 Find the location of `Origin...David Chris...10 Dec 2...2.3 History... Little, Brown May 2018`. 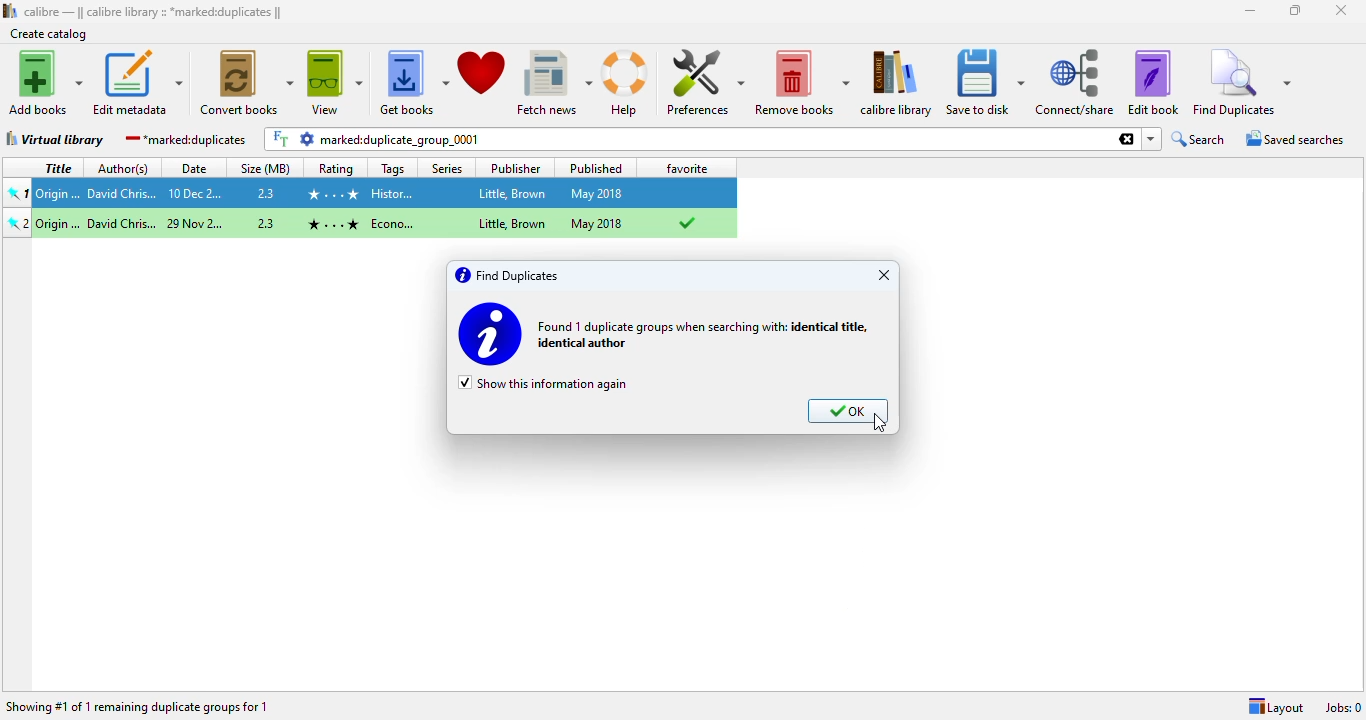

Origin...David Chris...10 Dec 2...2.3 History... Little, Brown May 2018 is located at coordinates (389, 192).